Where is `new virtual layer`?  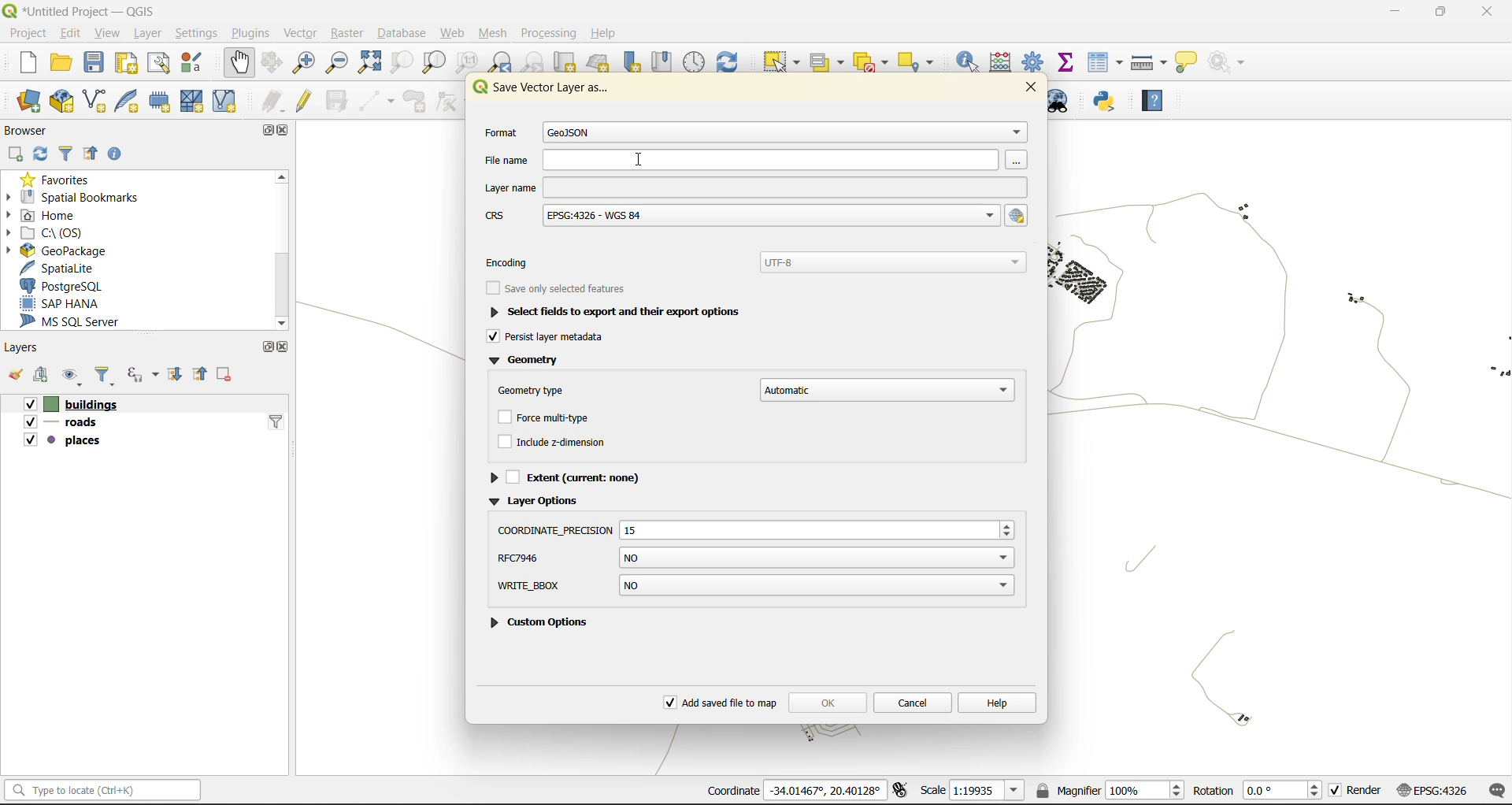
new virtual layer is located at coordinates (223, 102).